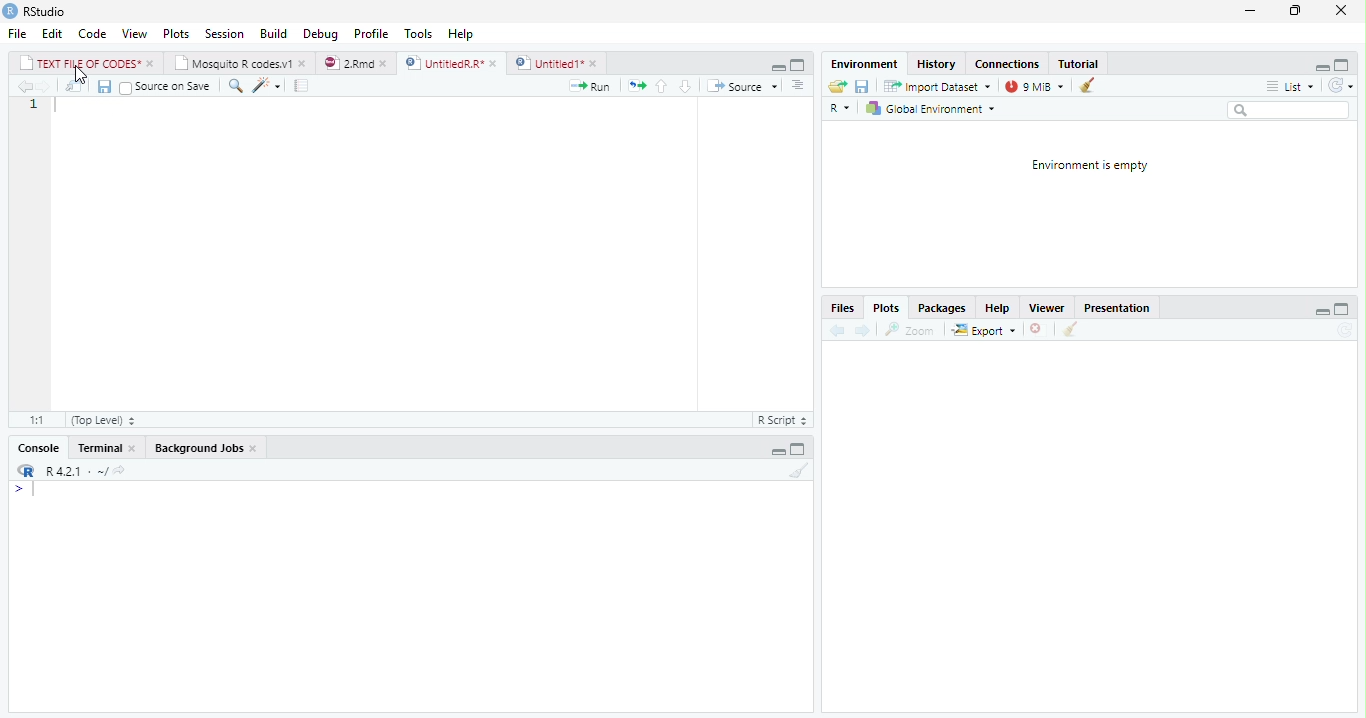 The image size is (1366, 718). Describe the element at coordinates (104, 88) in the screenshot. I see `save current document` at that location.